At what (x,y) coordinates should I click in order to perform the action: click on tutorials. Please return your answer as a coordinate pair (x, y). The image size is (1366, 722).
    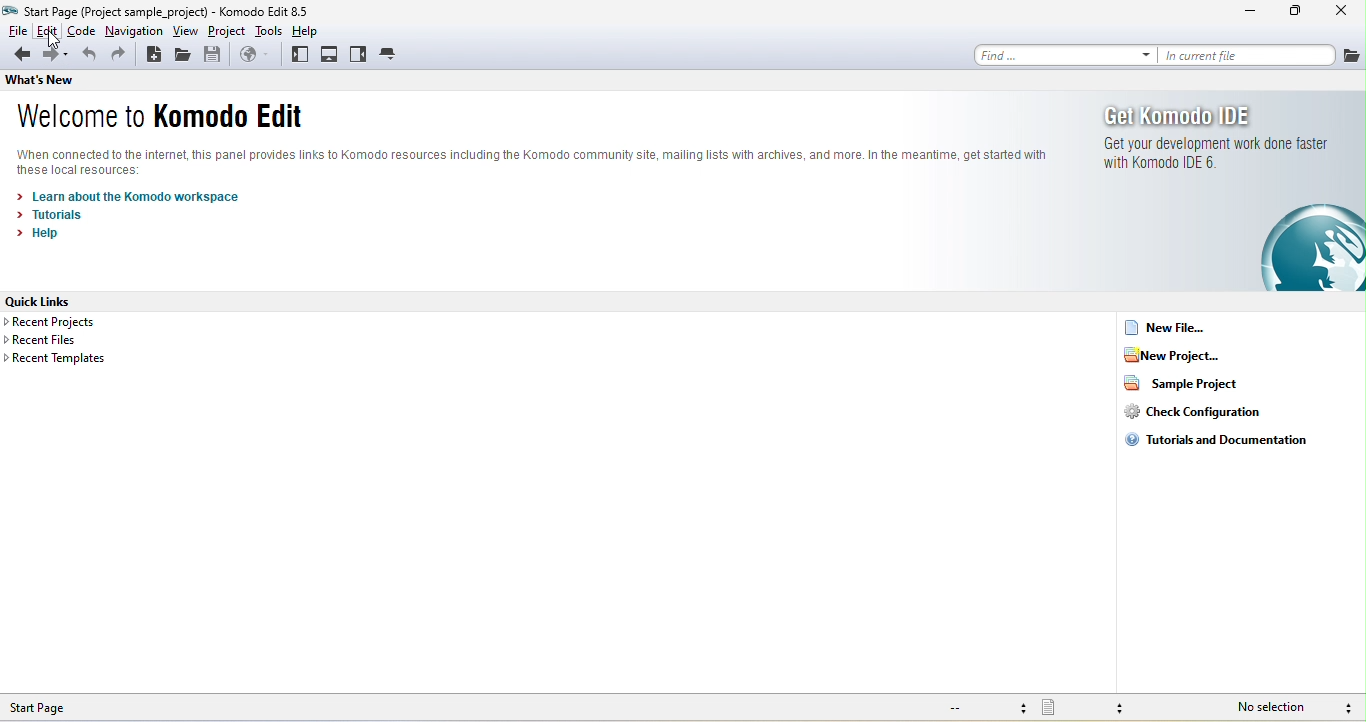
    Looking at the image, I should click on (55, 215).